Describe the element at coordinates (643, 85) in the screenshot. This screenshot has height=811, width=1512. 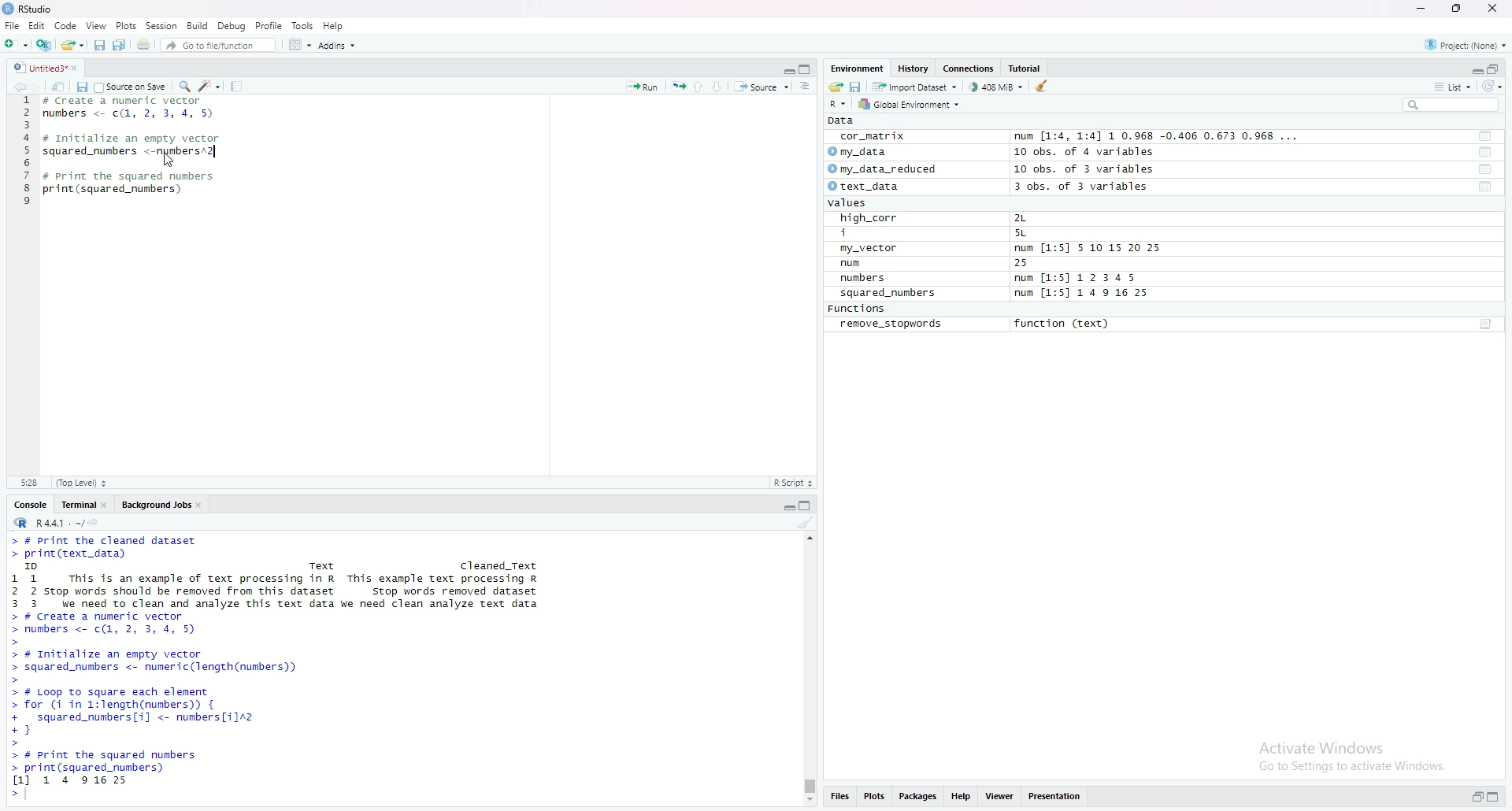
I see `Run` at that location.